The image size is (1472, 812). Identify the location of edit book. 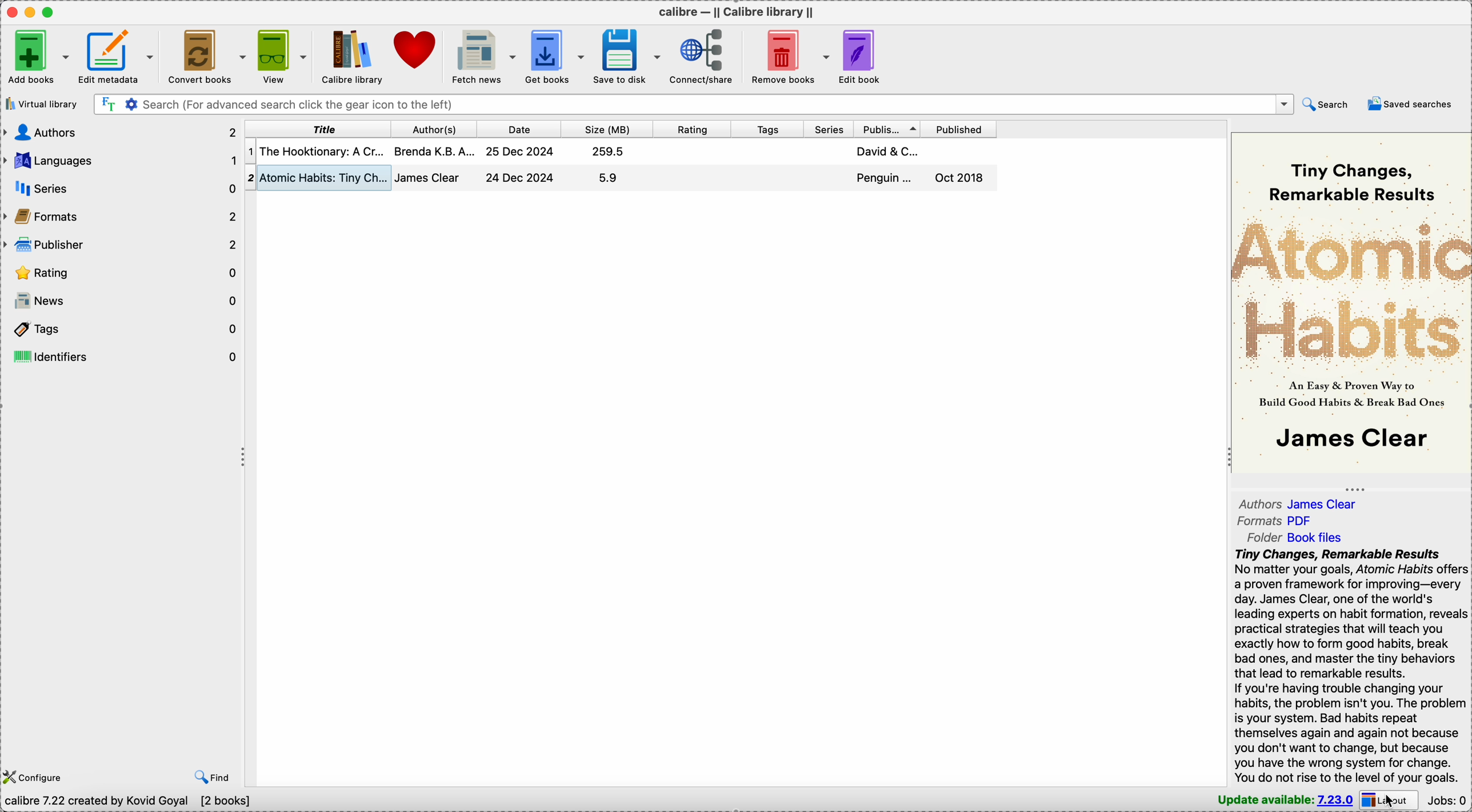
(865, 55).